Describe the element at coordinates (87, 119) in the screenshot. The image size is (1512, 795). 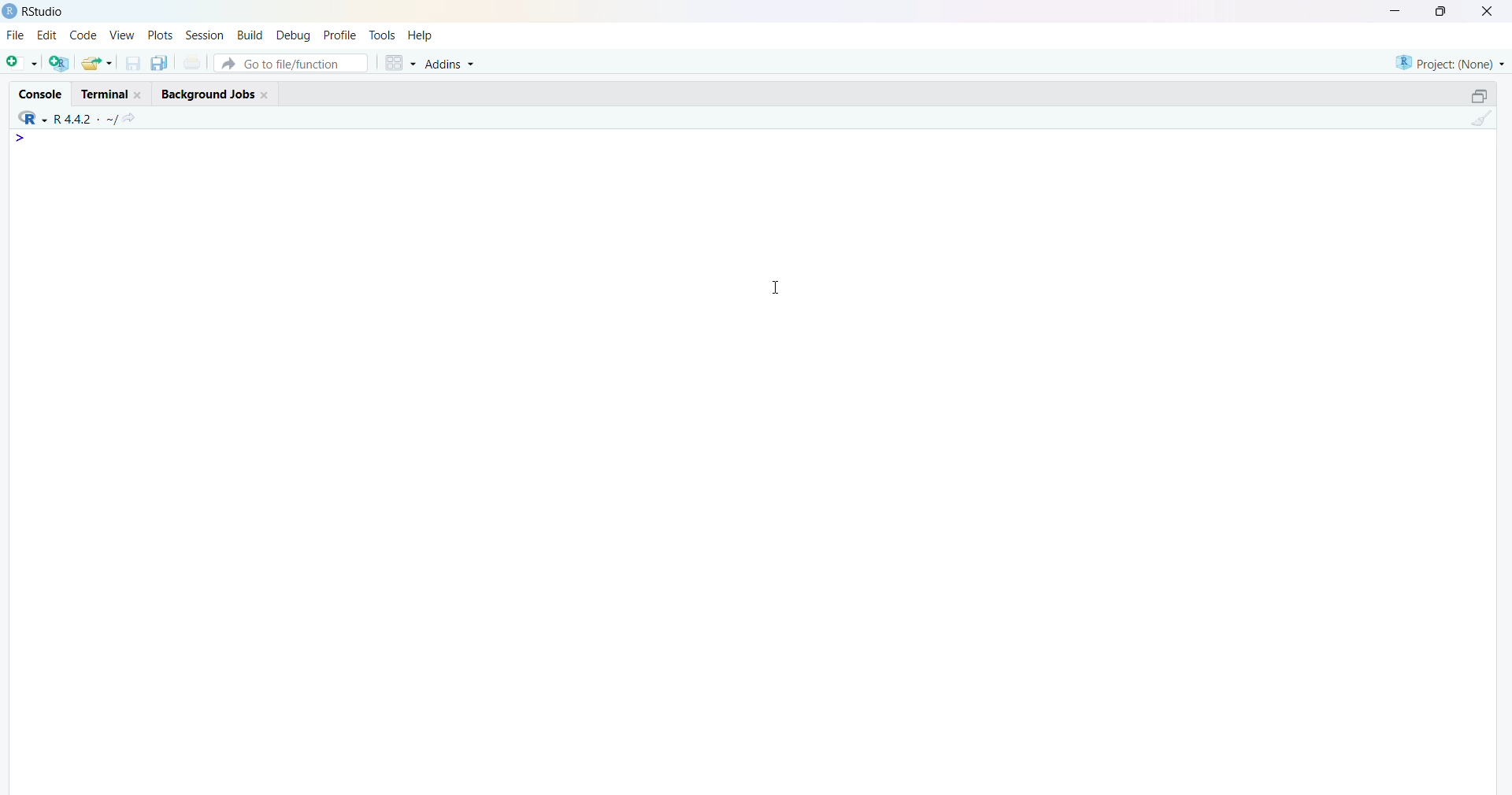
I see `R 4.4.2 ~/` at that location.